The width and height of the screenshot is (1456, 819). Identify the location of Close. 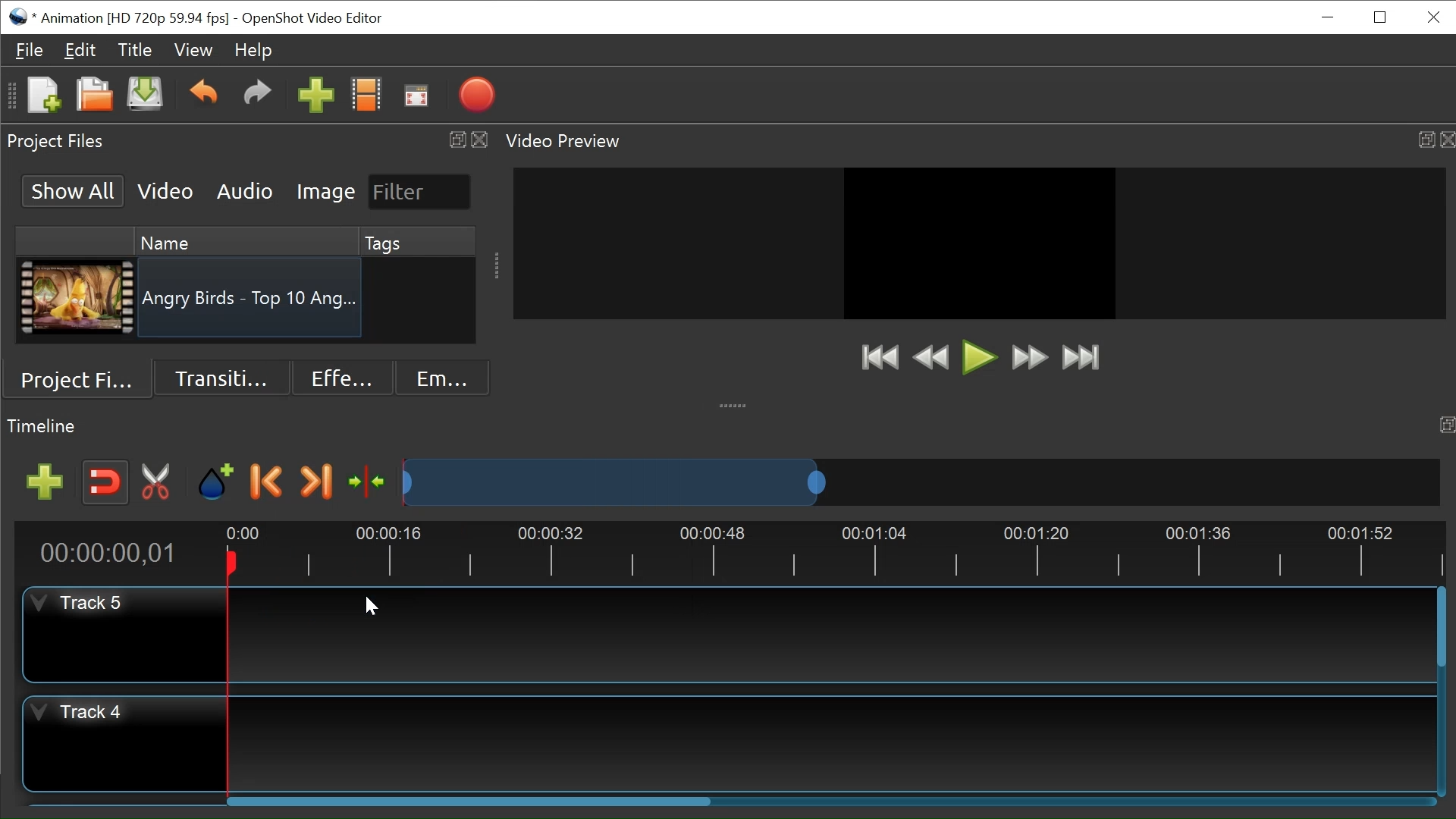
(1447, 140).